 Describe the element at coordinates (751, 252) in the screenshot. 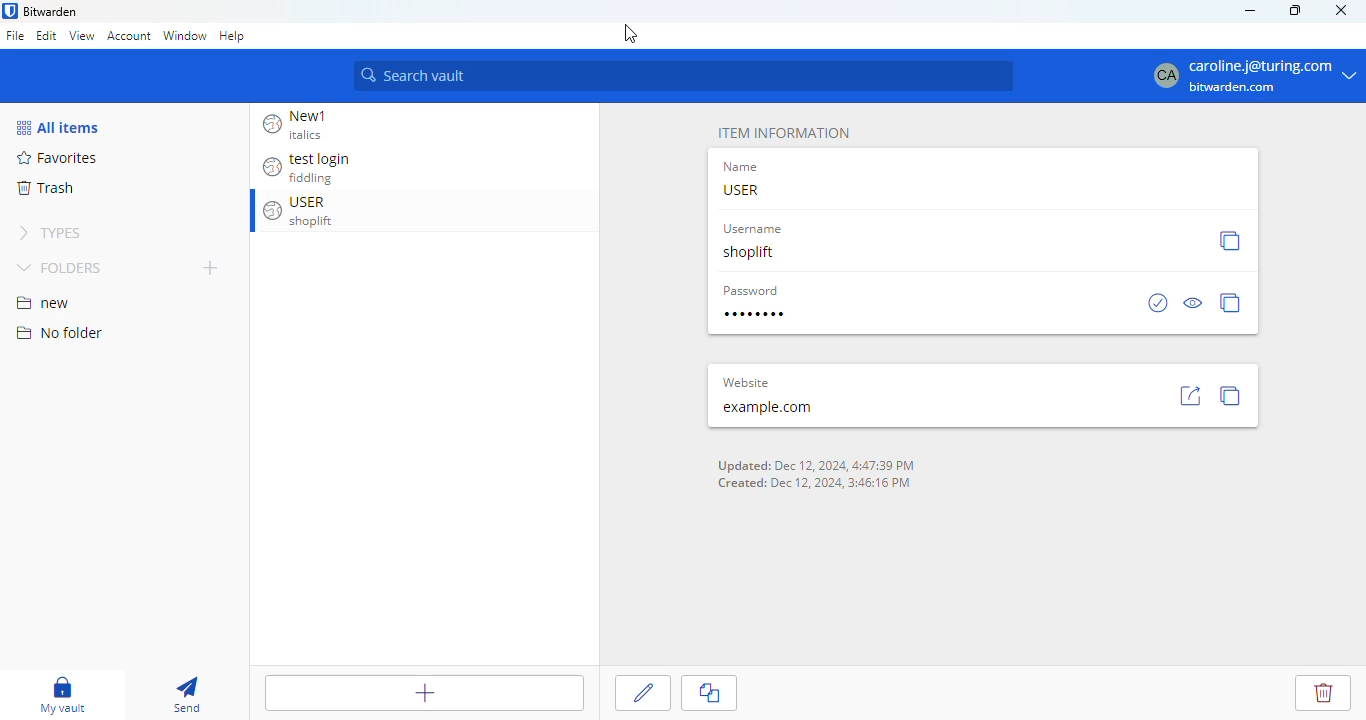

I see `shoplift` at that location.